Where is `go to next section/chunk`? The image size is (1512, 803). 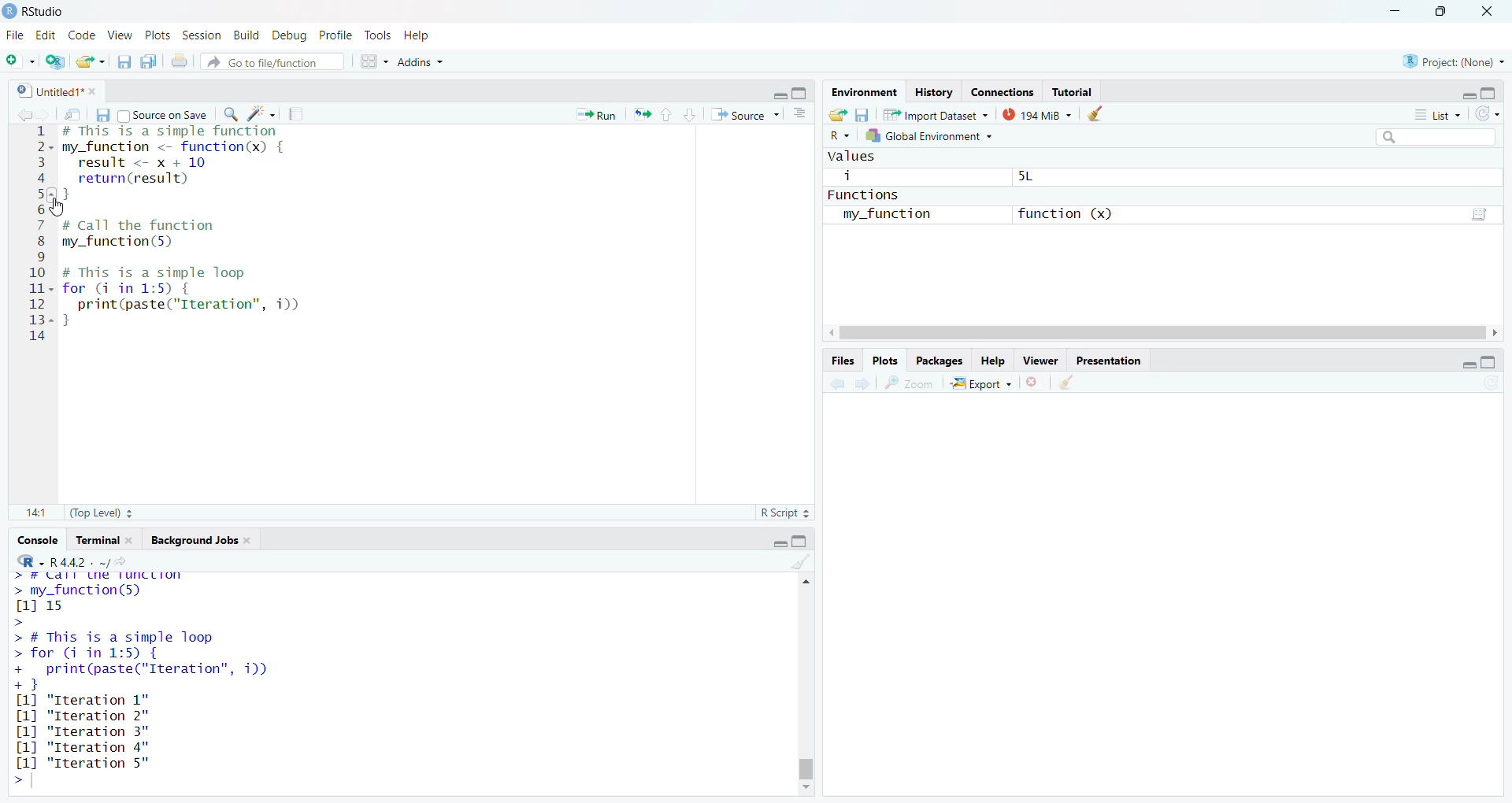 go to next section/chunk is located at coordinates (691, 114).